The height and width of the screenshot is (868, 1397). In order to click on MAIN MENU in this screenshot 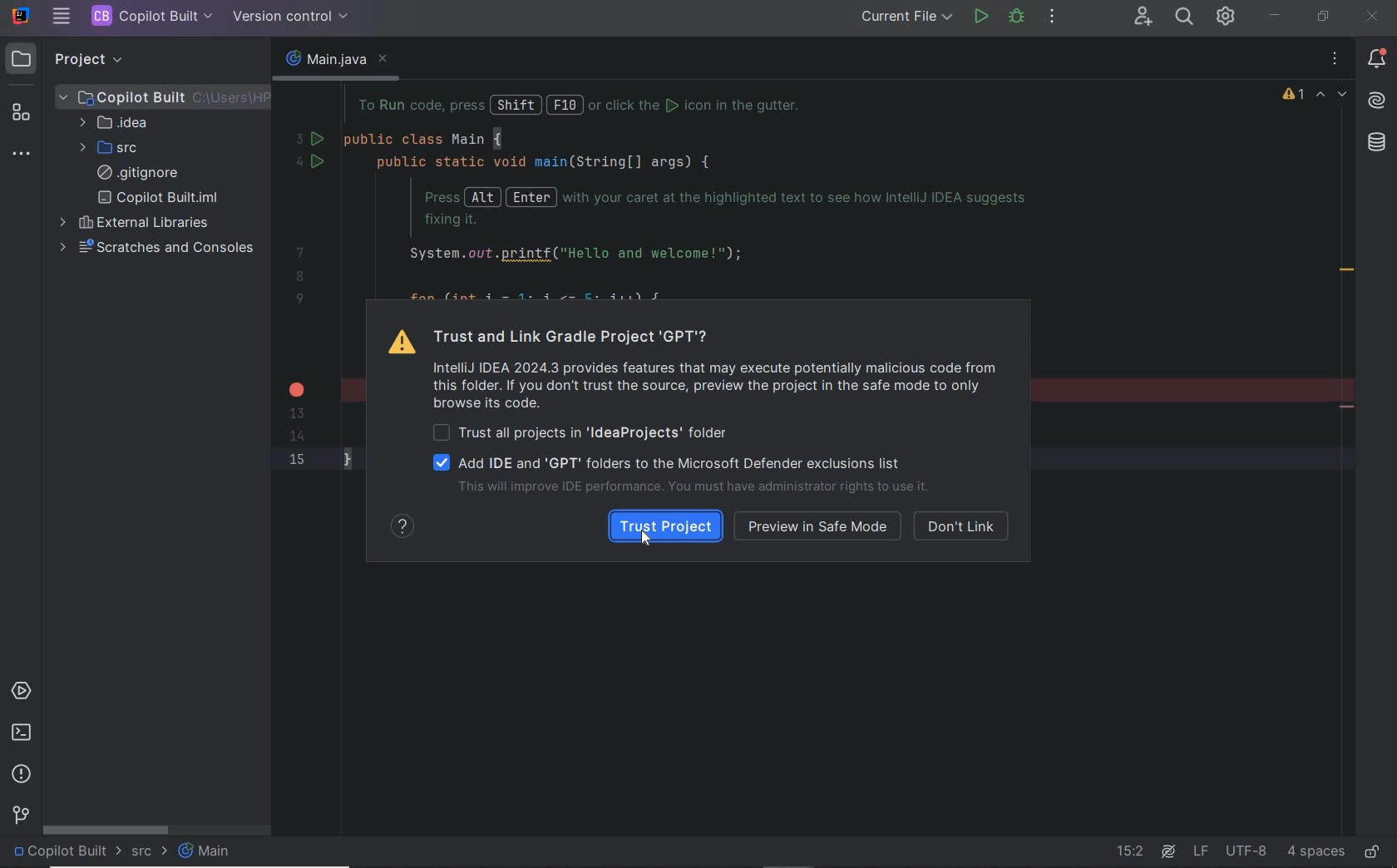, I will do `click(61, 17)`.